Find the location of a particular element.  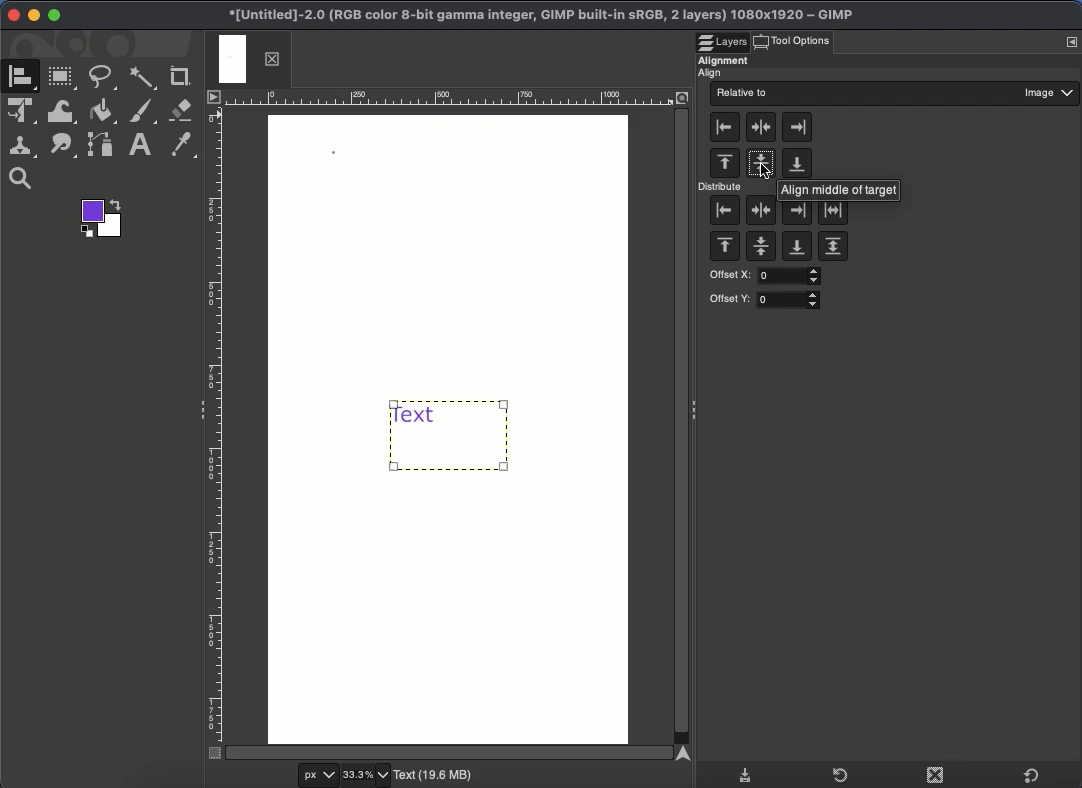

Relative to image is located at coordinates (895, 94).